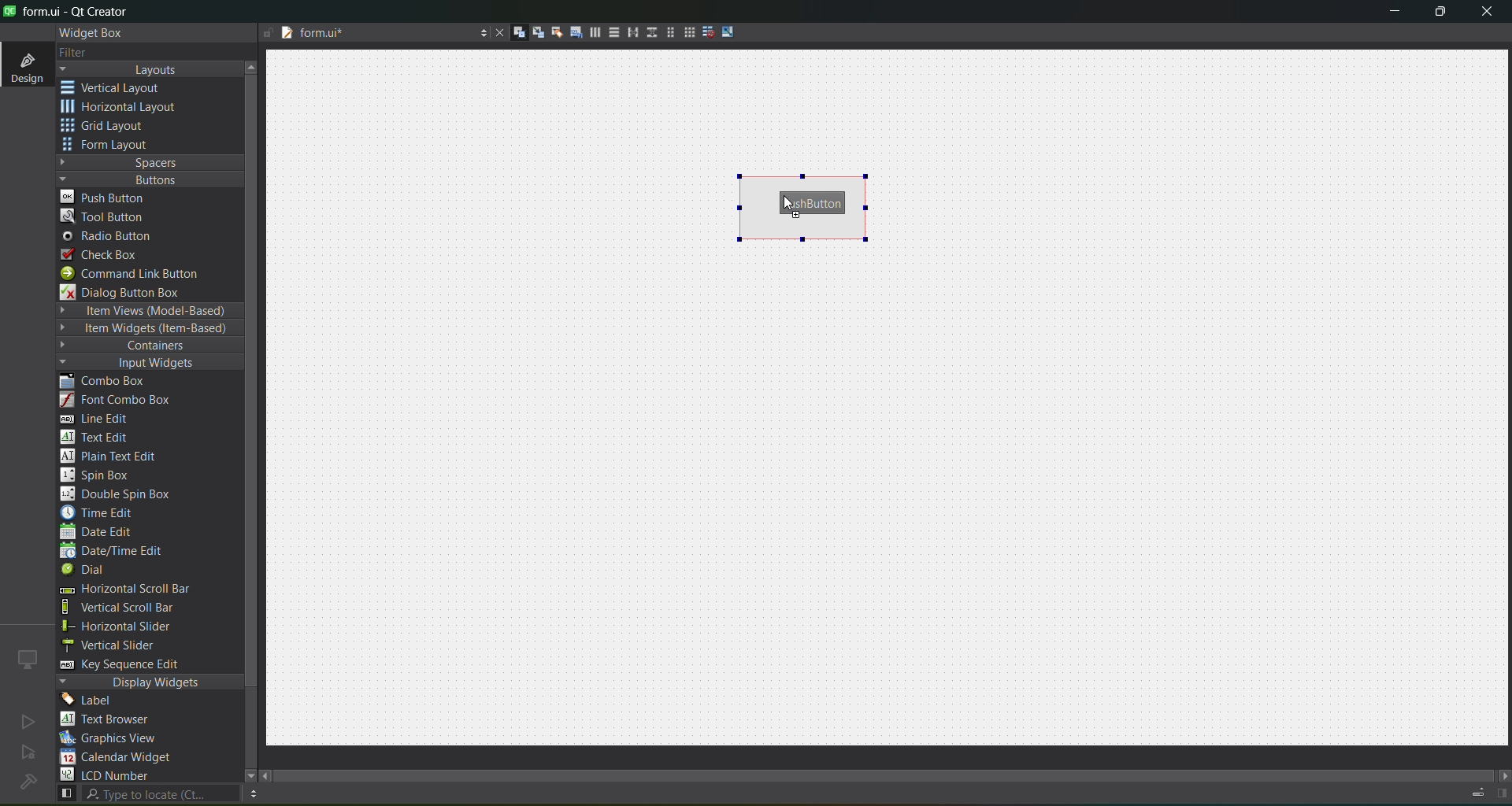 This screenshot has height=806, width=1512. What do you see at coordinates (532, 31) in the screenshot?
I see `edit signals` at bounding box center [532, 31].